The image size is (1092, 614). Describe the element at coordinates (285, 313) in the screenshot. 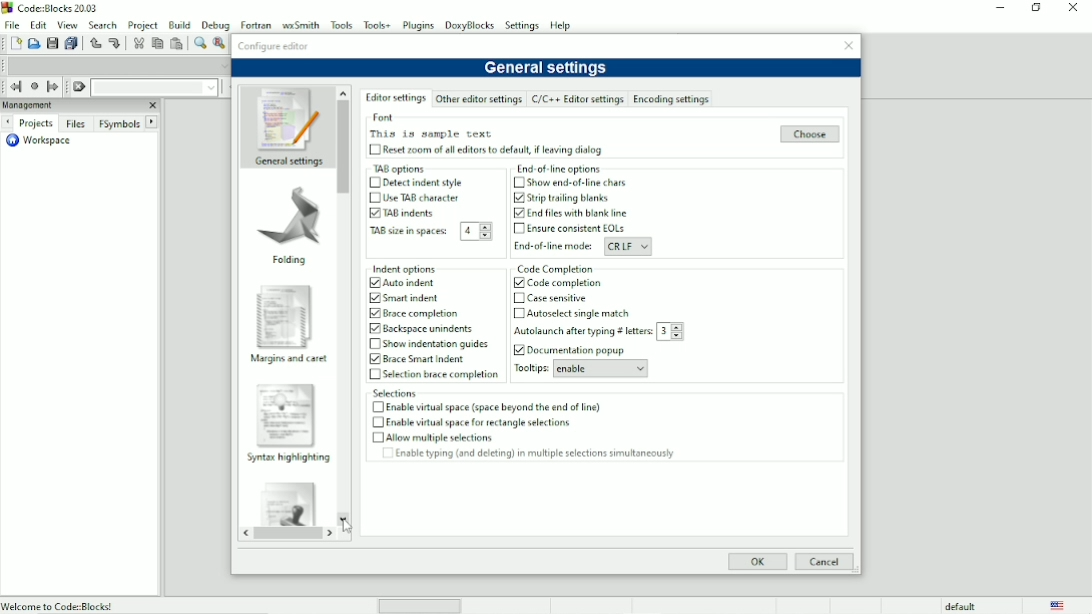

I see `Image` at that location.